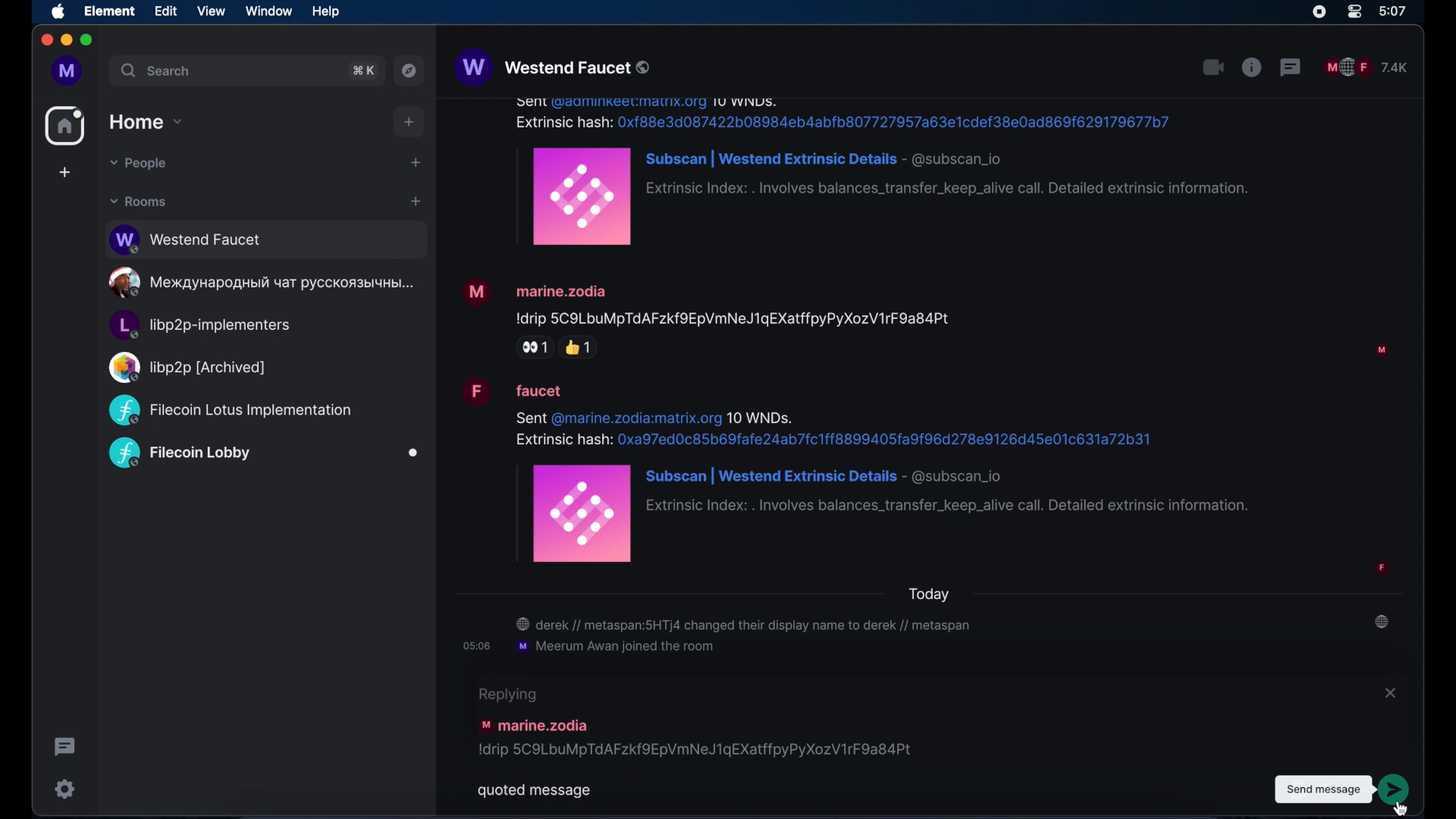 The width and height of the screenshot is (1456, 819). I want to click on view, so click(210, 11).